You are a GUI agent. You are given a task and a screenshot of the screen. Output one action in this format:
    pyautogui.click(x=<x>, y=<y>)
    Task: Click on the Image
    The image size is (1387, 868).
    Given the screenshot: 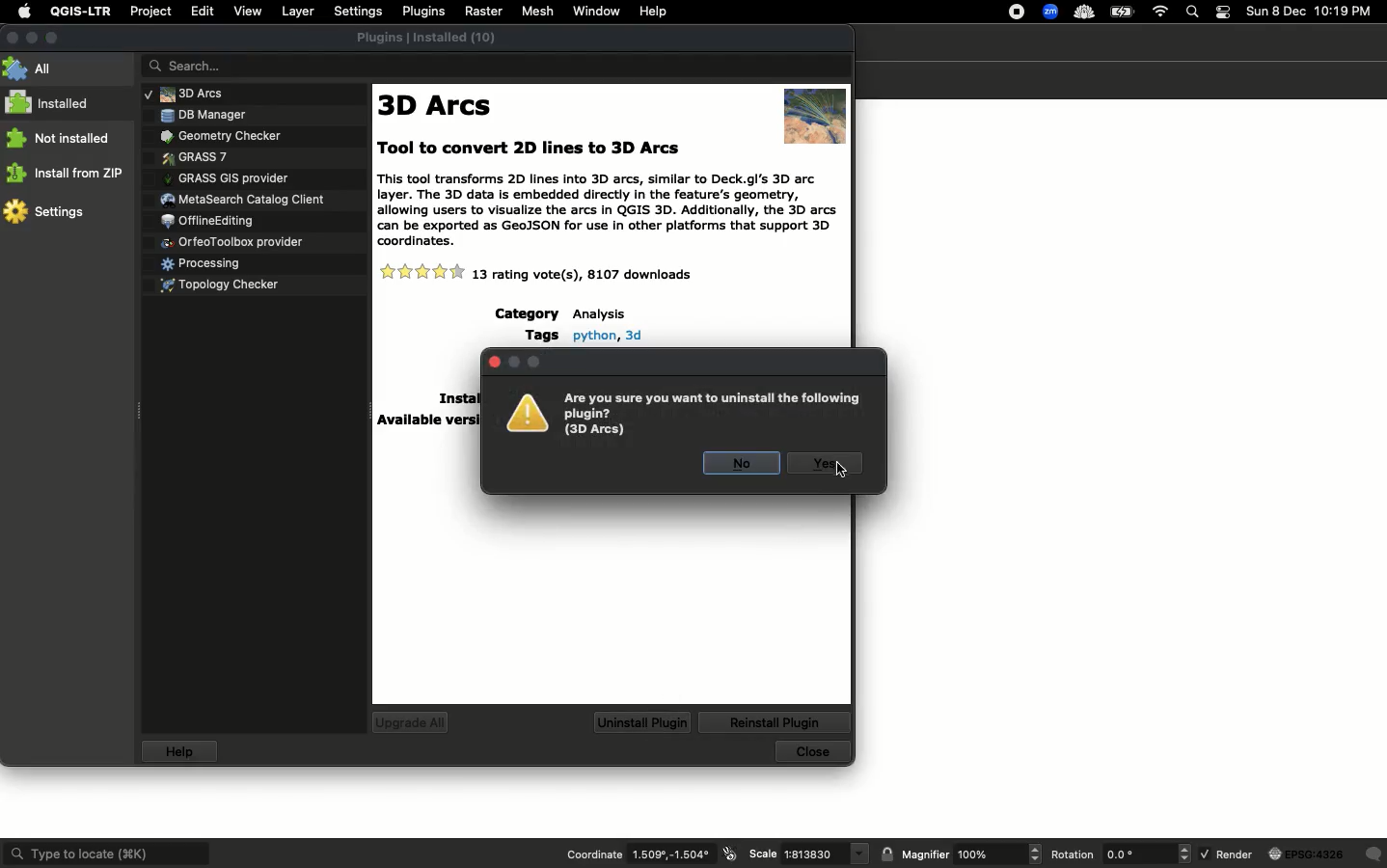 What is the action you would take?
    pyautogui.click(x=816, y=110)
    